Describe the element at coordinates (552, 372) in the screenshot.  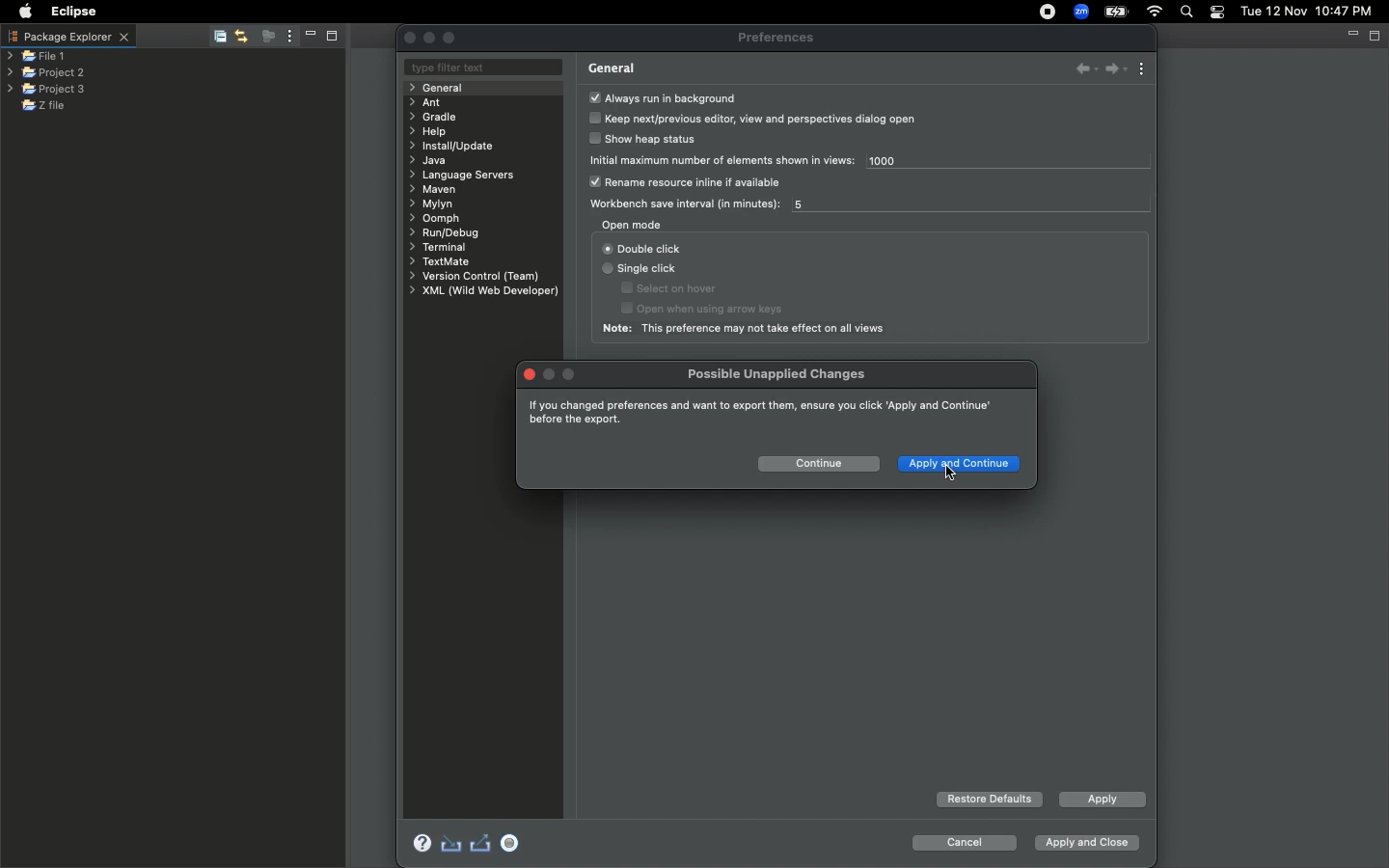
I see `mimimize` at that location.